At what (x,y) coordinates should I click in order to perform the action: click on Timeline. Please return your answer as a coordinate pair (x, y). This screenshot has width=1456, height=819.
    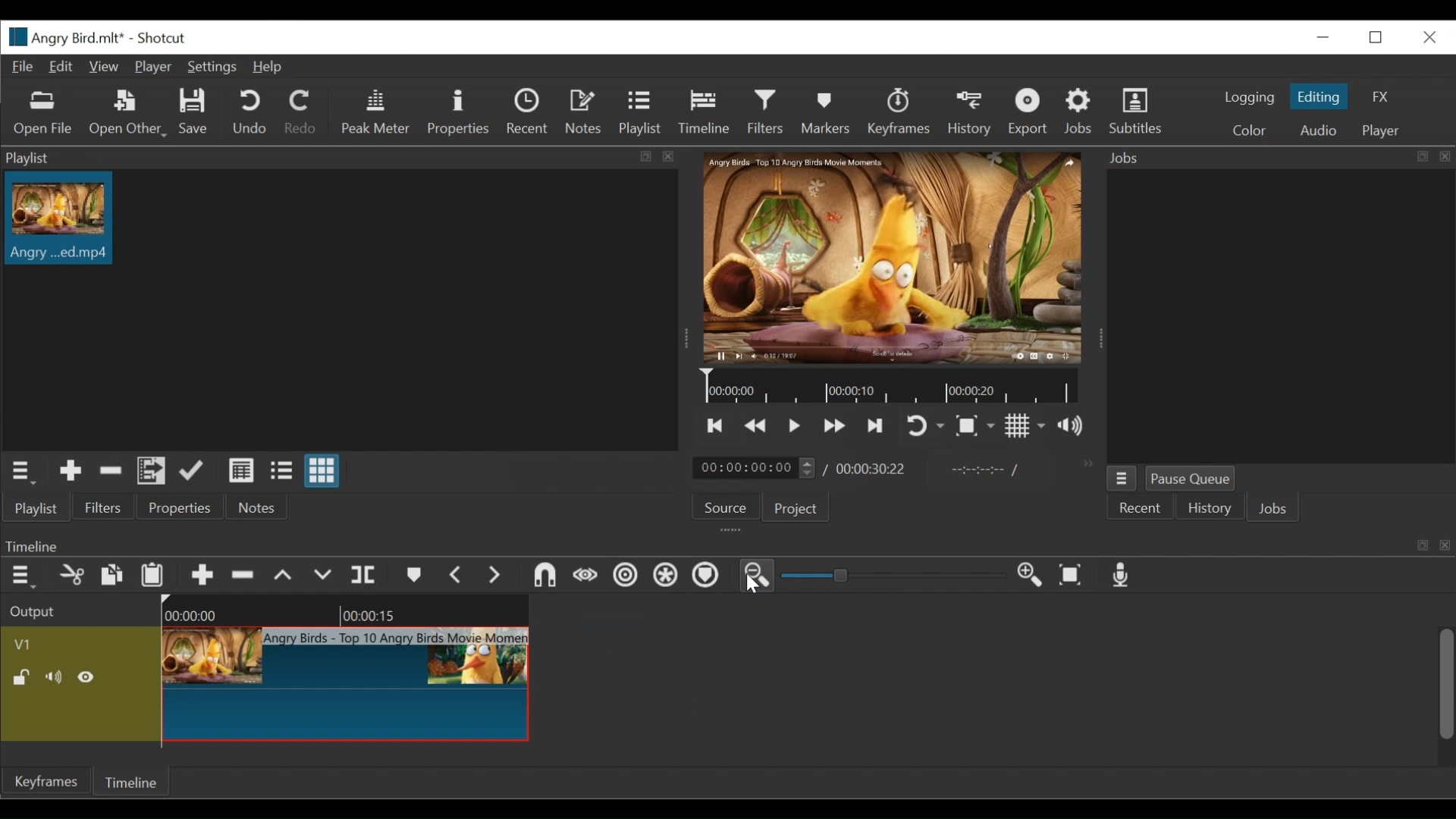
    Looking at the image, I should click on (129, 781).